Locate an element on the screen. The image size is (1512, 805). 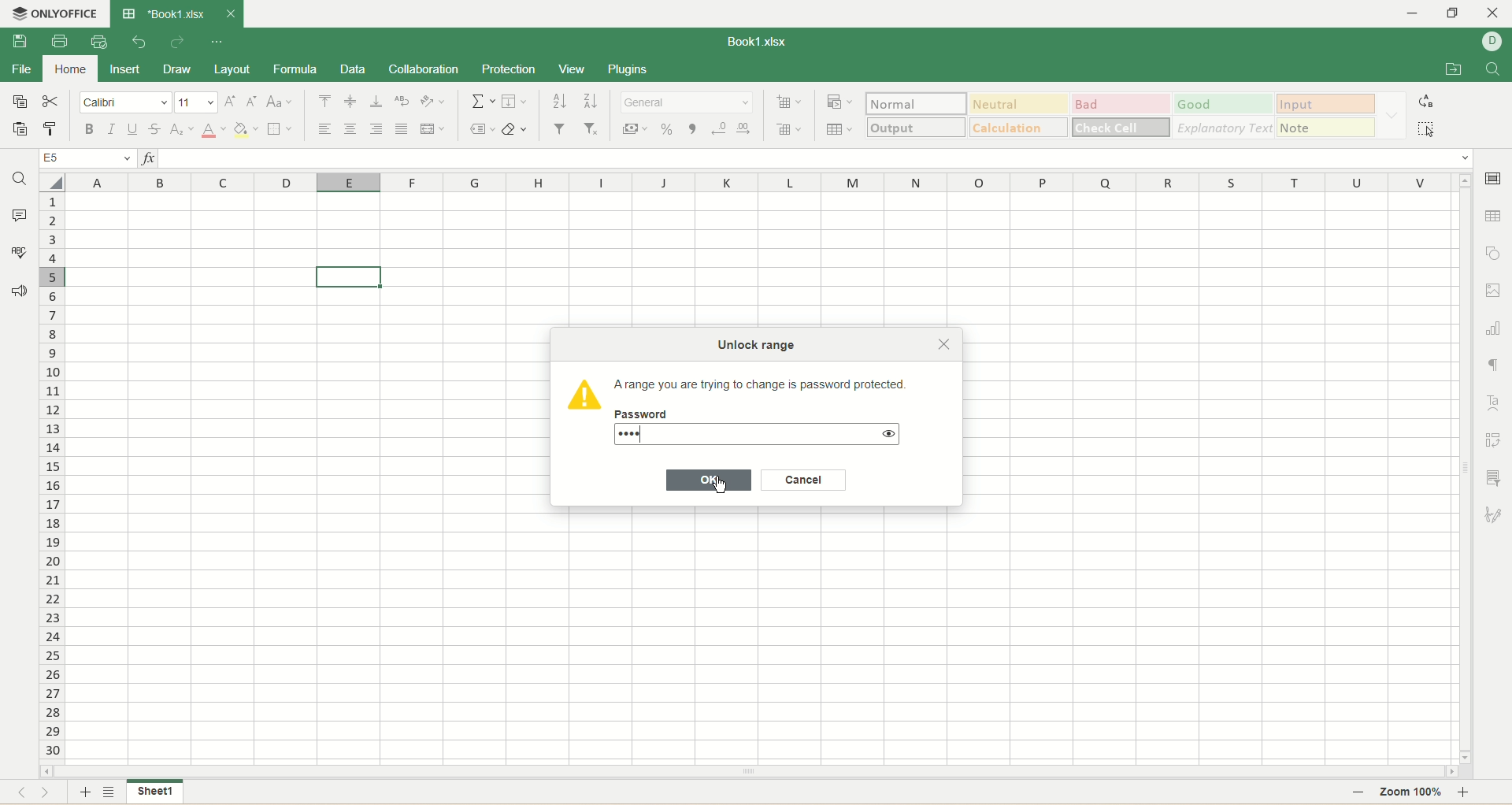
zoom in is located at coordinates (1469, 793).